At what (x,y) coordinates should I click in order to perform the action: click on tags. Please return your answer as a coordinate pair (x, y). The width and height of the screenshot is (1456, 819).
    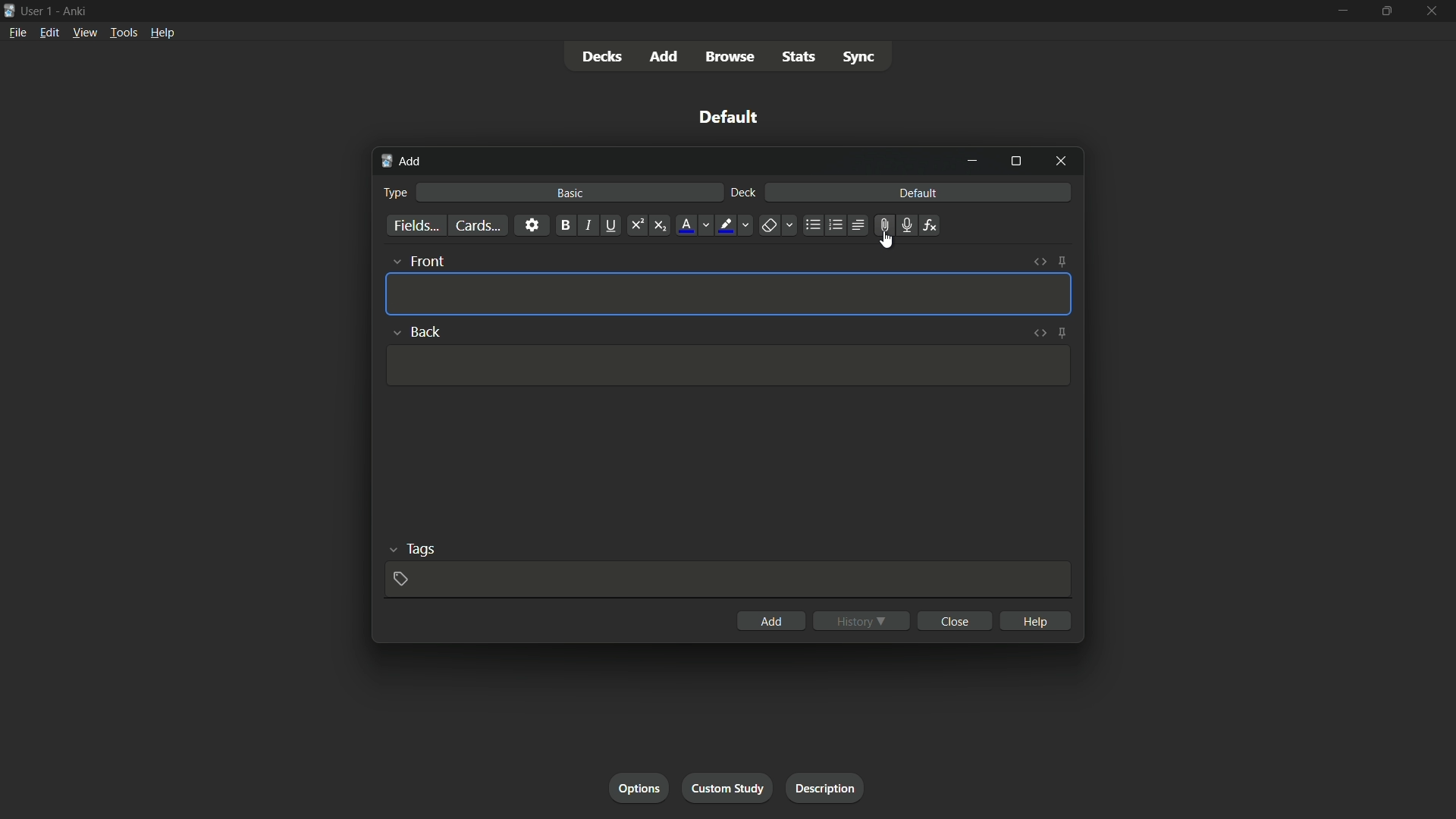
    Looking at the image, I should click on (413, 548).